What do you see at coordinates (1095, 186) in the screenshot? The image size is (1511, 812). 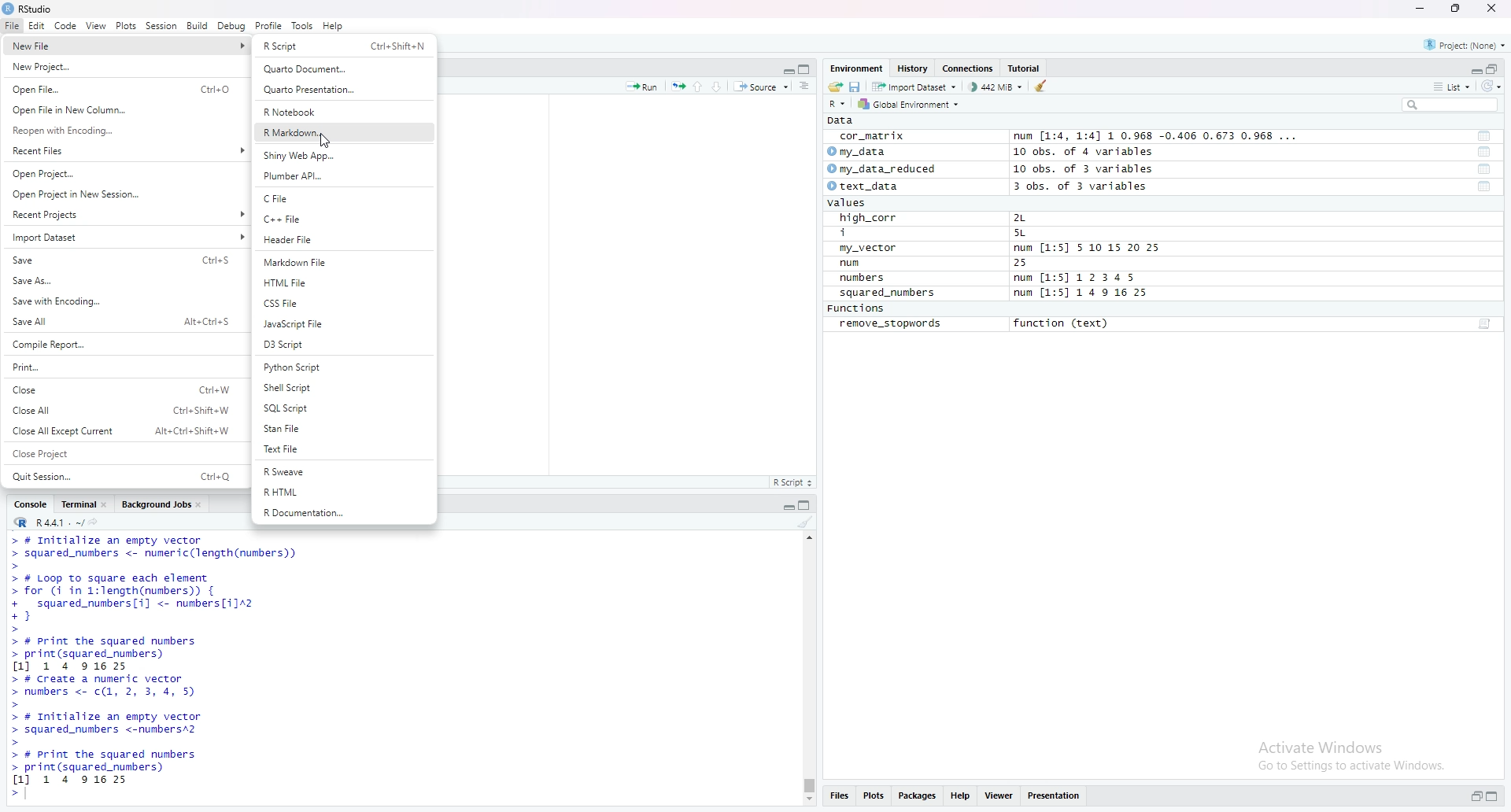 I see `3 obs. of 3 variables` at bounding box center [1095, 186].